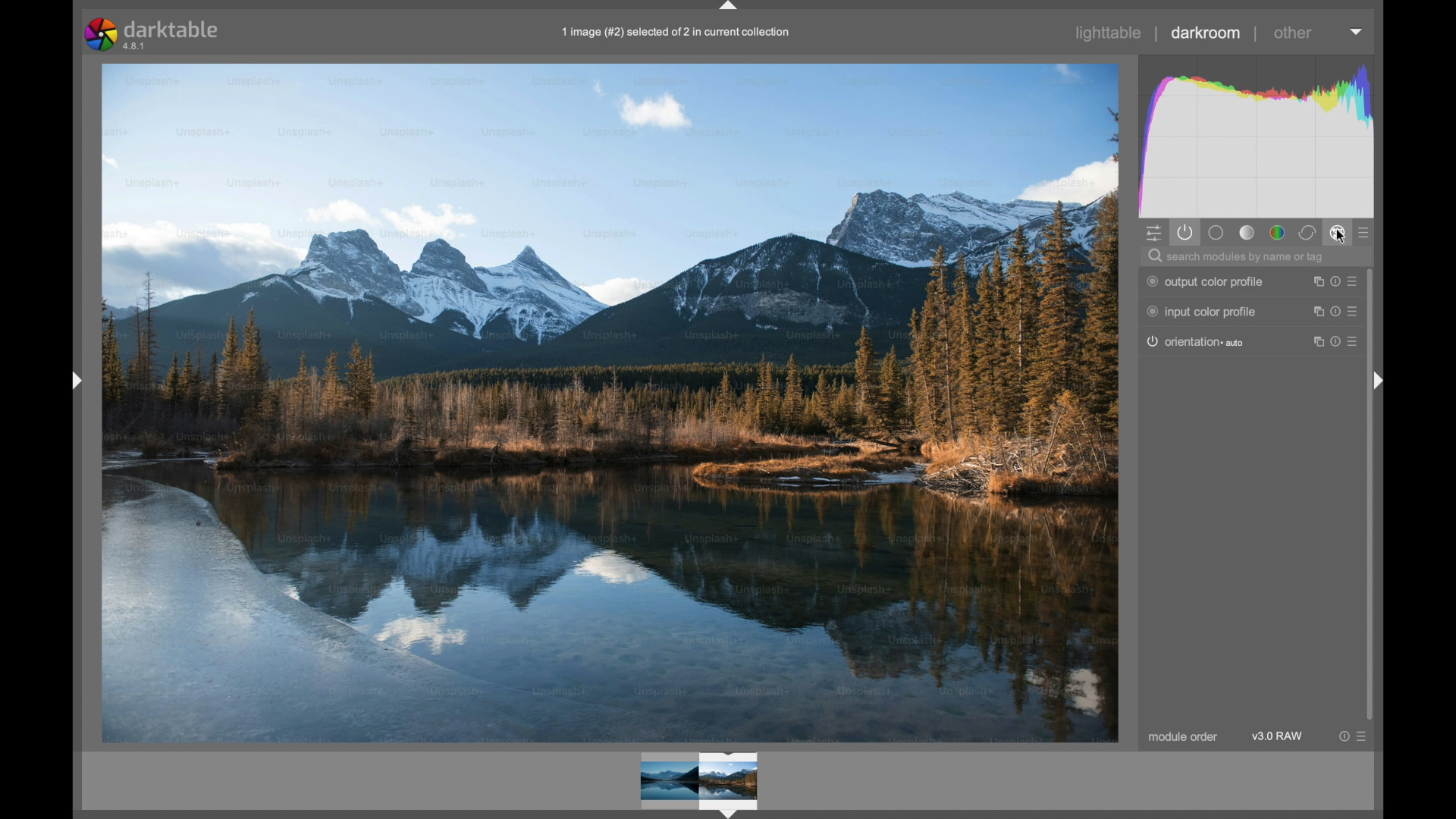 This screenshot has width=1456, height=819. I want to click on module order, so click(1182, 738).